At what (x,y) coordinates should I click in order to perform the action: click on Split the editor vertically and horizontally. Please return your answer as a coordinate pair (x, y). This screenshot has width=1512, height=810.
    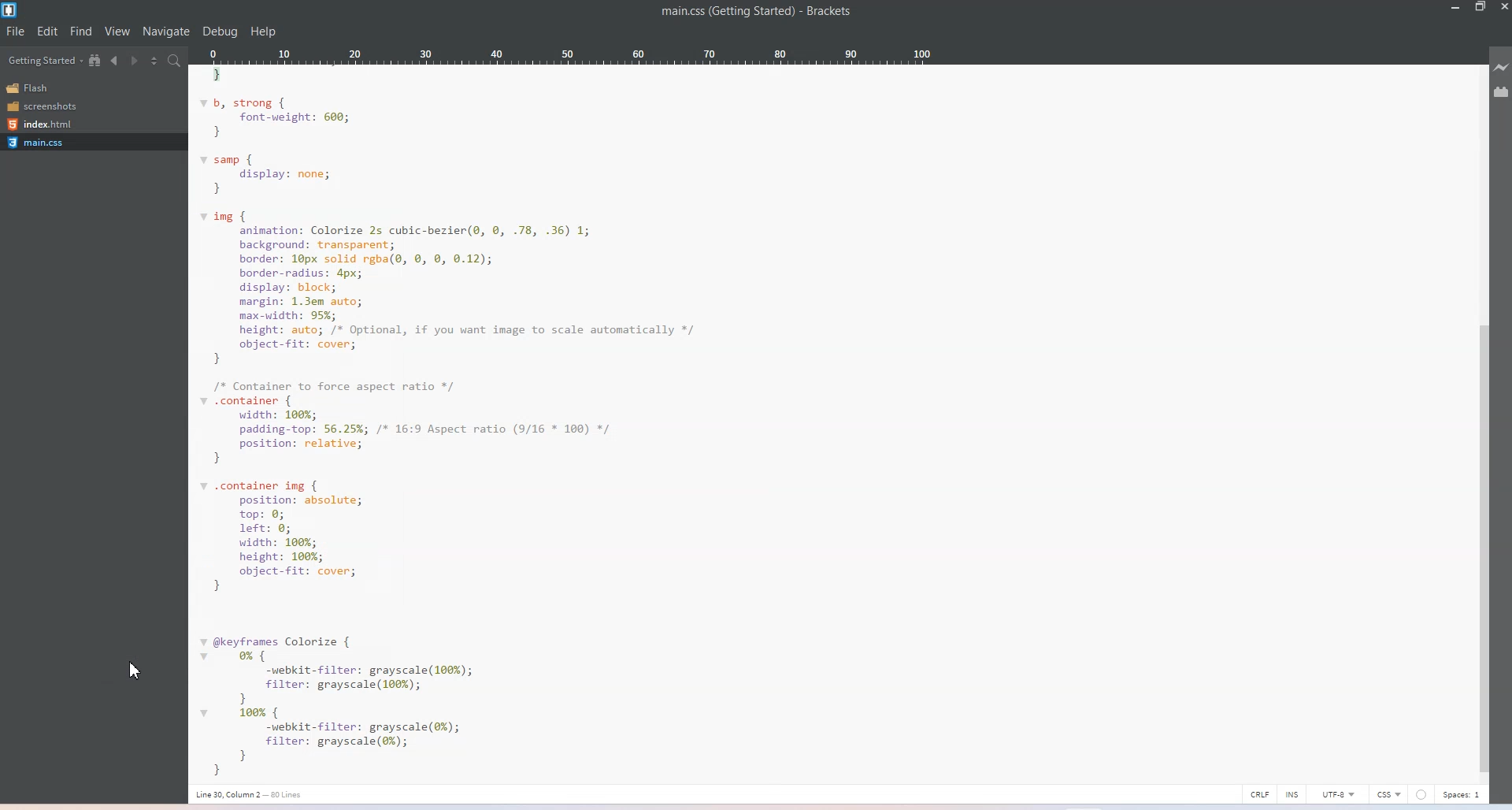
    Looking at the image, I should click on (154, 59).